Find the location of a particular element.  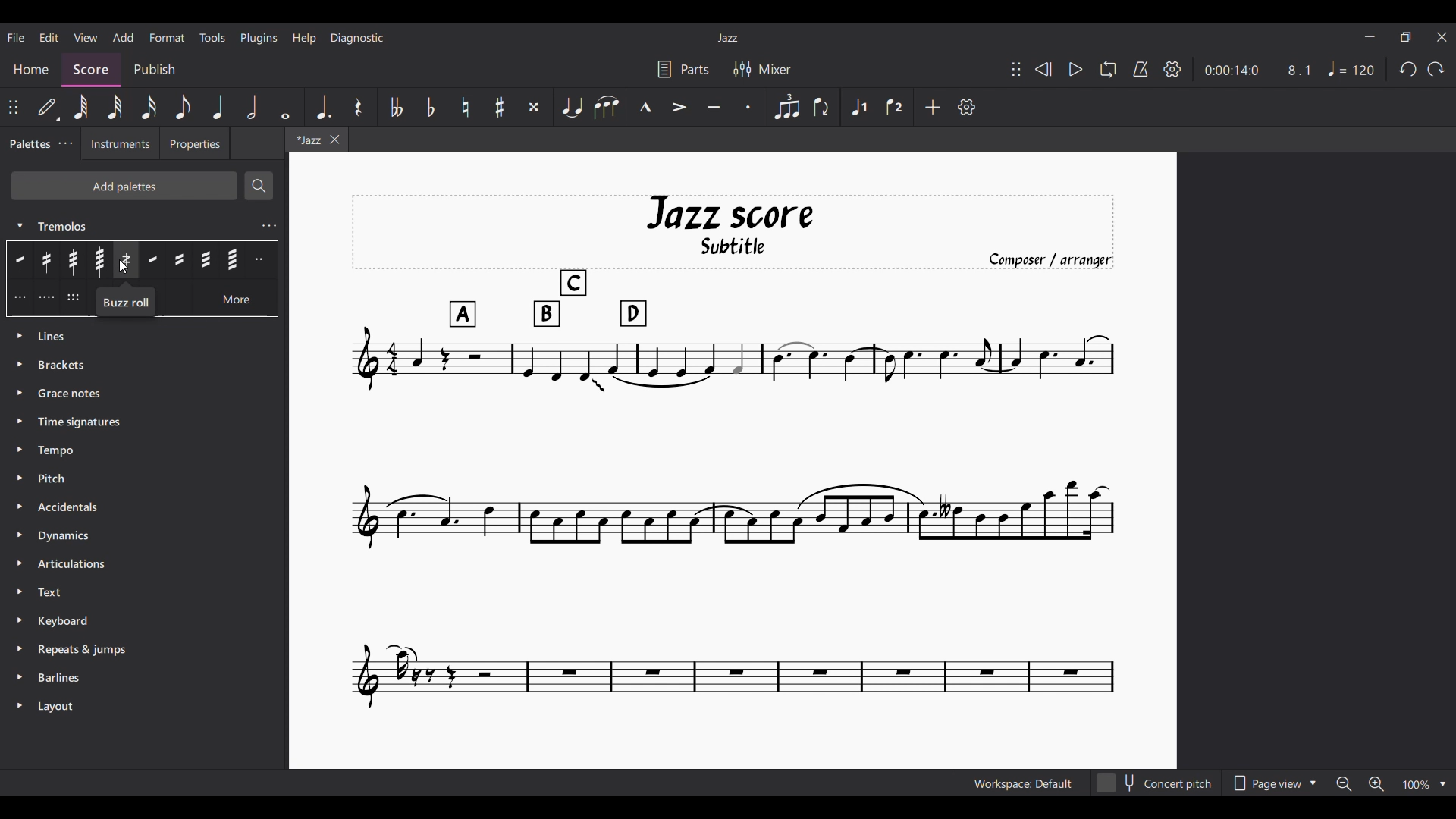

Buzz roll is located at coordinates (124, 302).